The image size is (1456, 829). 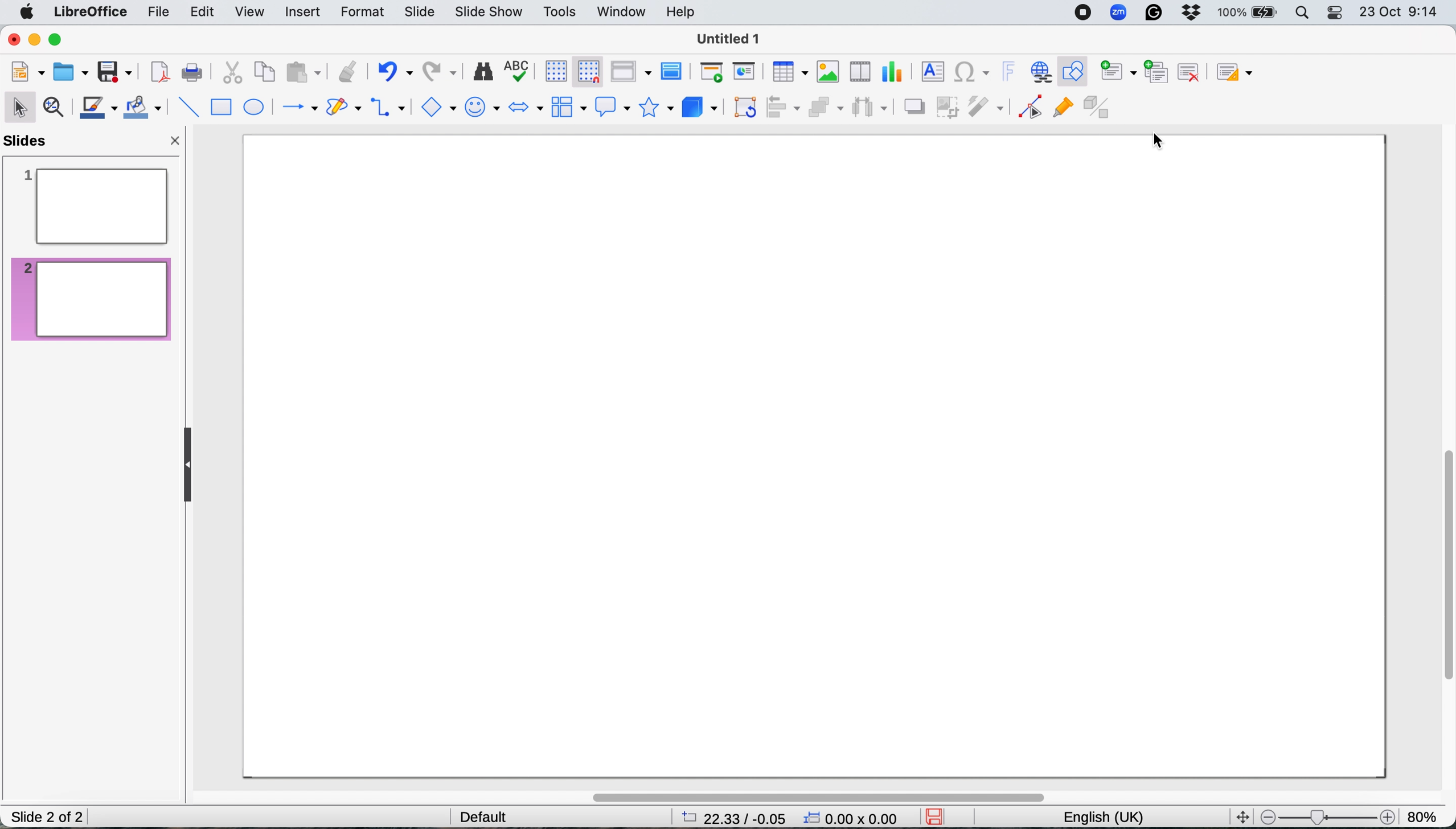 What do you see at coordinates (870, 107) in the screenshot?
I see `select three objects to distribute` at bounding box center [870, 107].